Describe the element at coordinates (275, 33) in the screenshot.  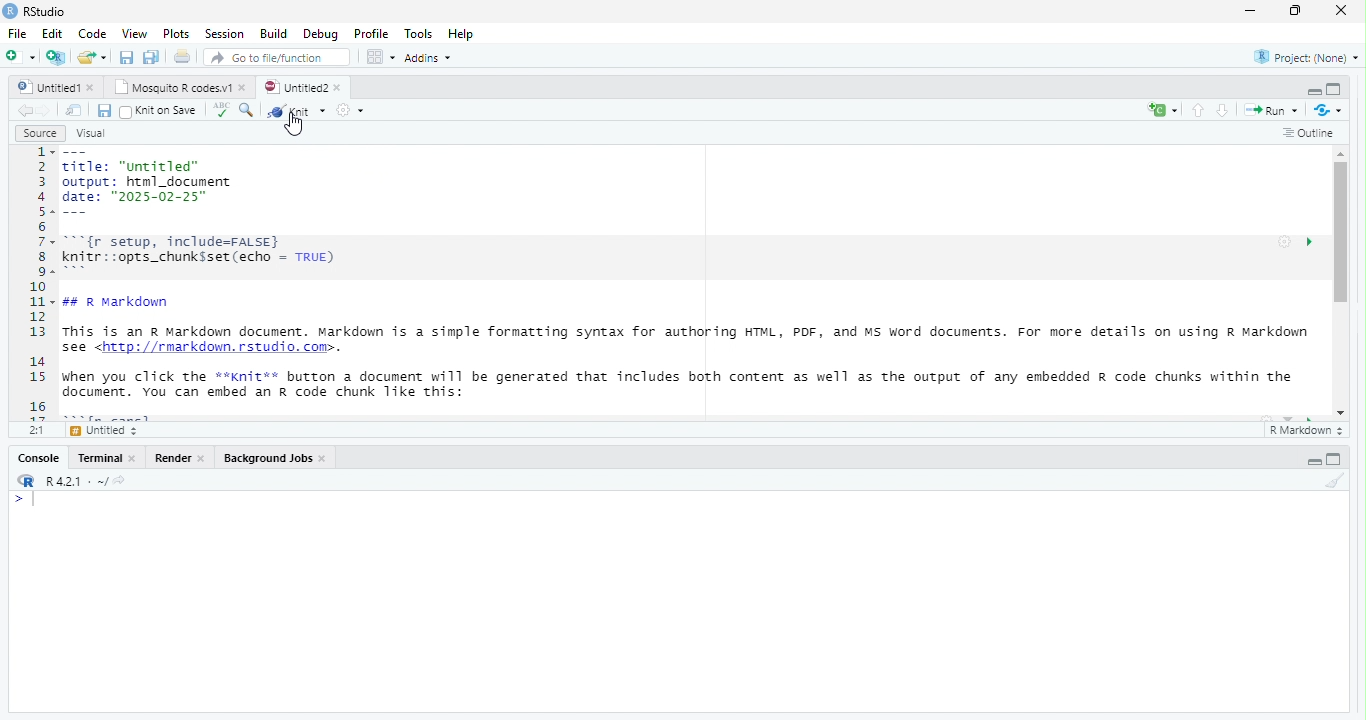
I see `Build` at that location.